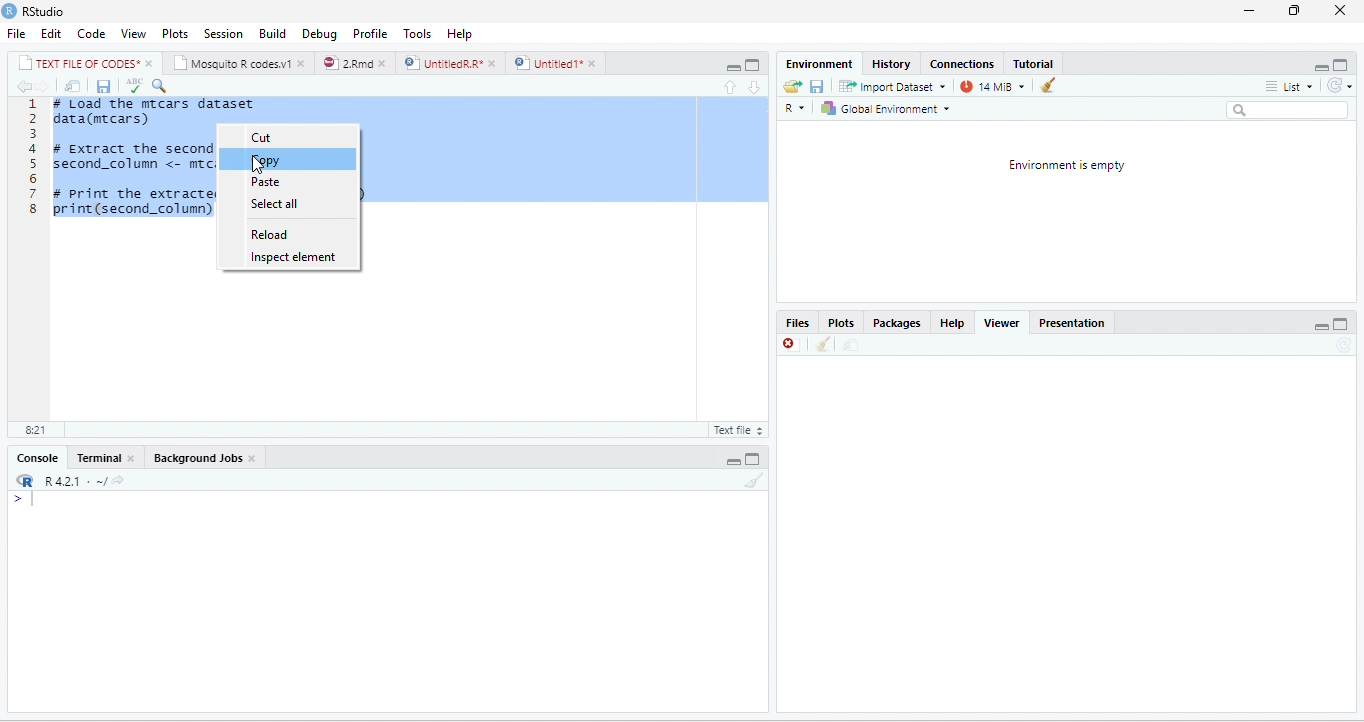  I want to click on Plots, so click(845, 323).